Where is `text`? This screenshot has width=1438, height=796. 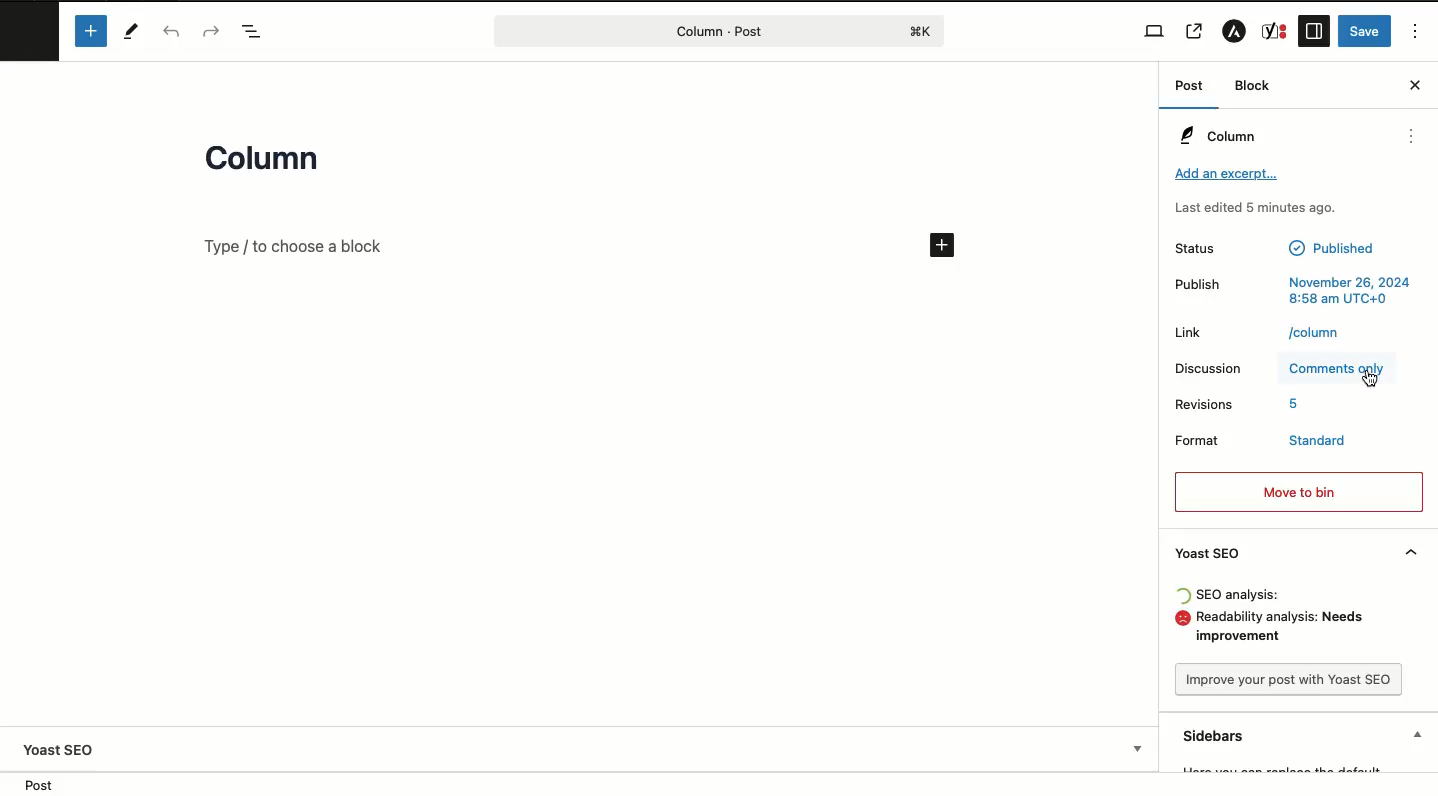 text is located at coordinates (1314, 334).